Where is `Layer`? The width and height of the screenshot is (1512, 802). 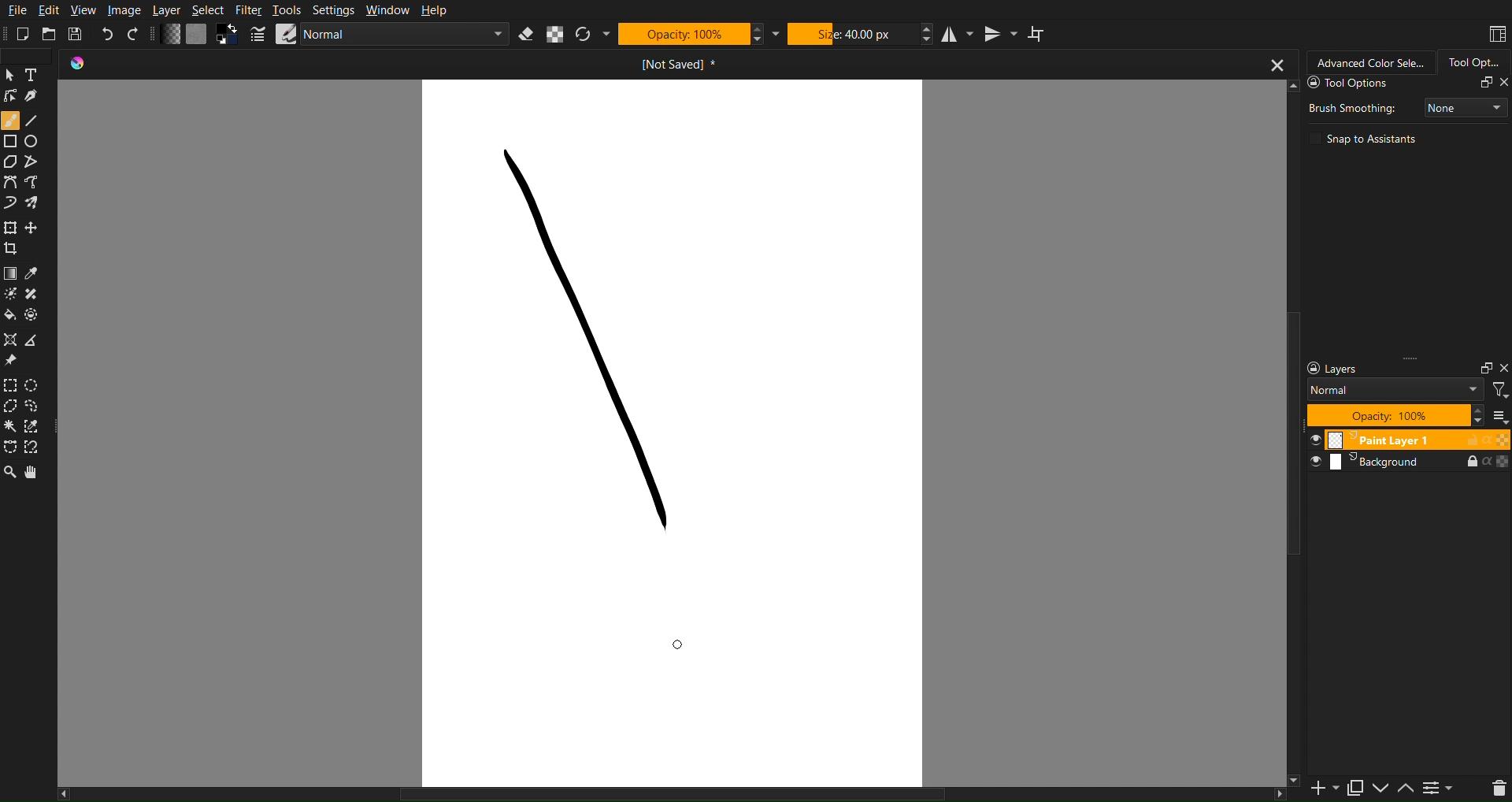
Layer is located at coordinates (167, 9).